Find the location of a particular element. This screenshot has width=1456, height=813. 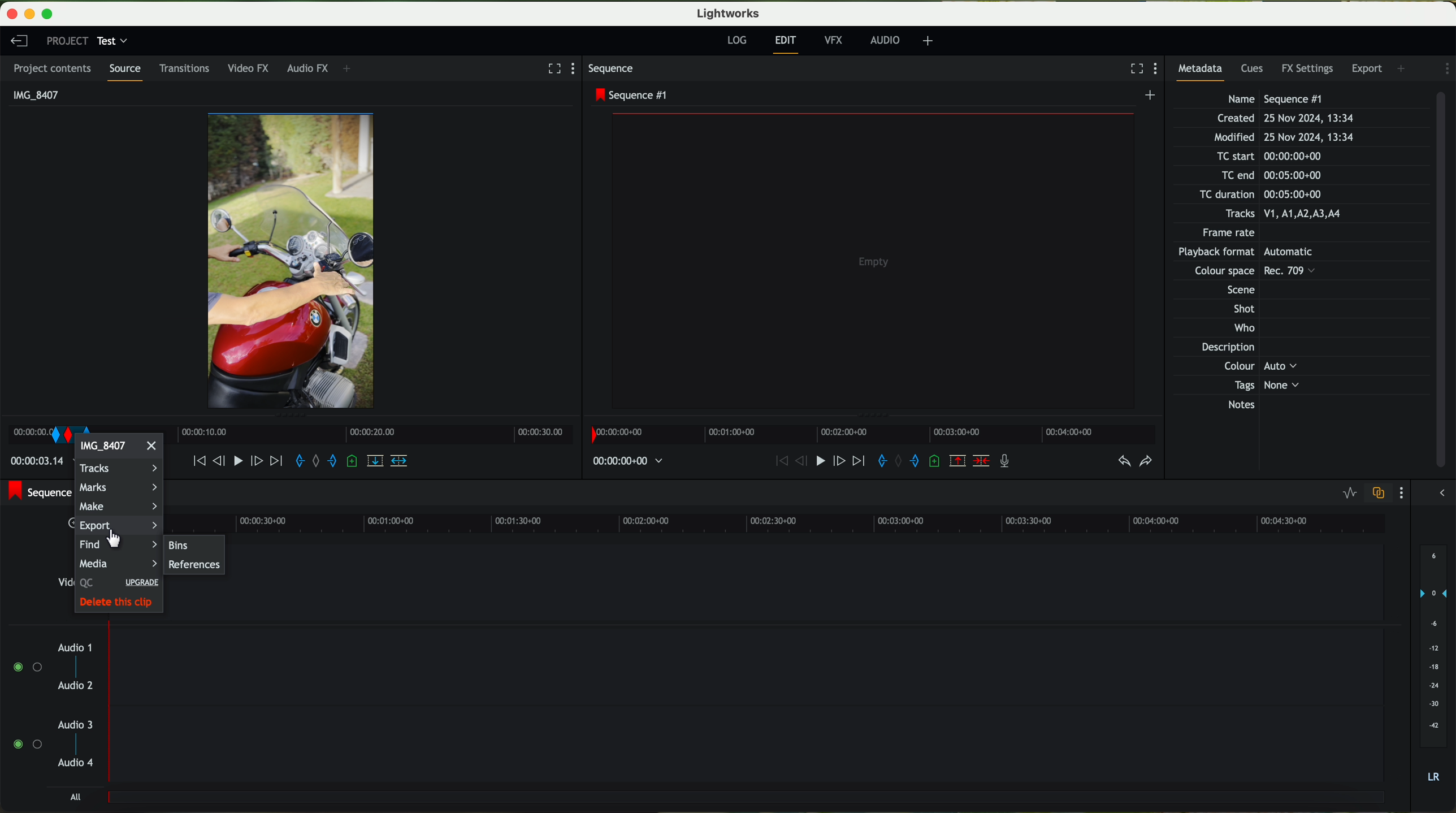

move foward is located at coordinates (856, 462).